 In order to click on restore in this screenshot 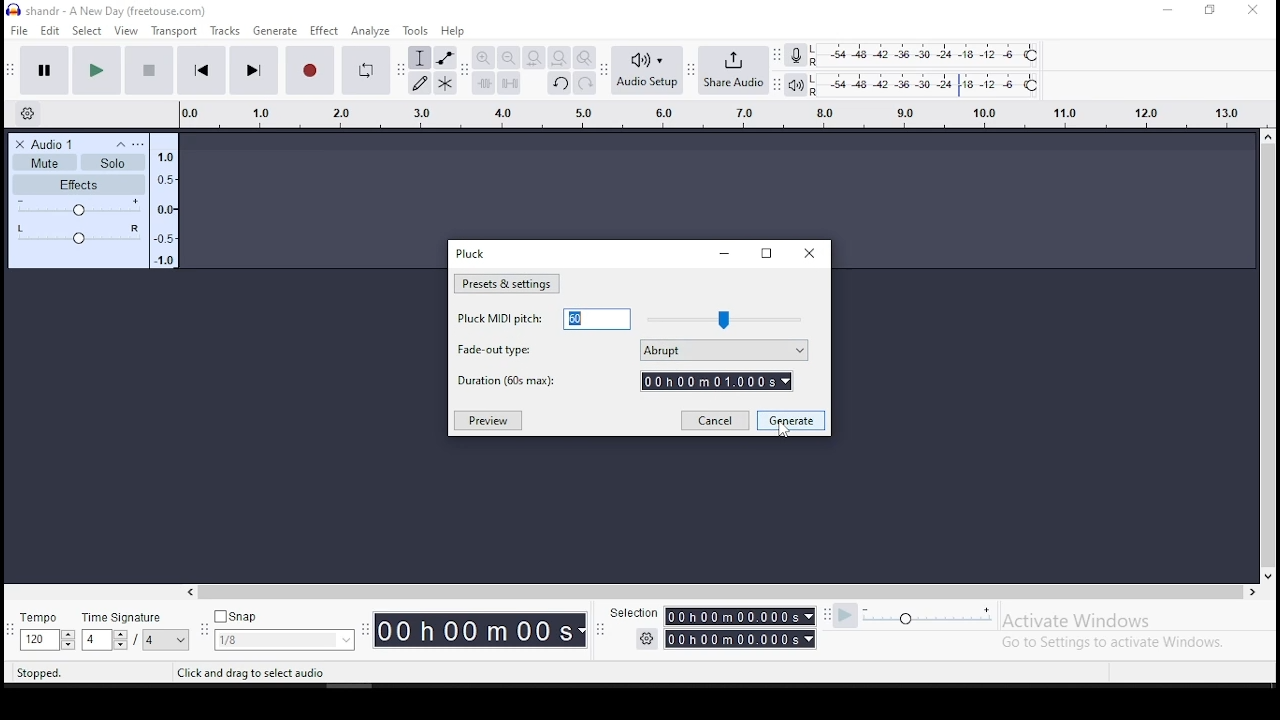, I will do `click(1208, 10)`.